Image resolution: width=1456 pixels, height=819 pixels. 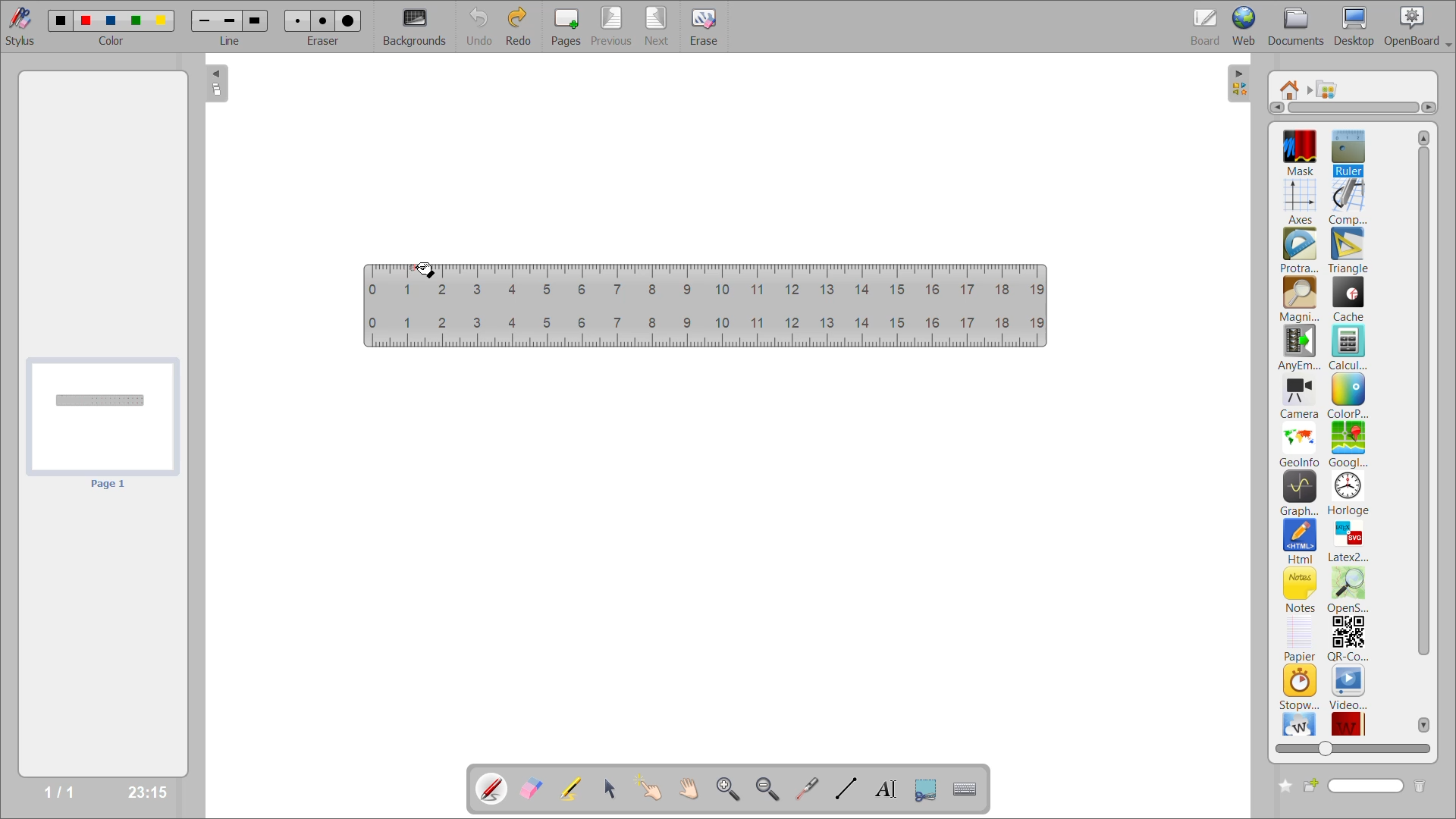 I want to click on openstreetmap, so click(x=1351, y=591).